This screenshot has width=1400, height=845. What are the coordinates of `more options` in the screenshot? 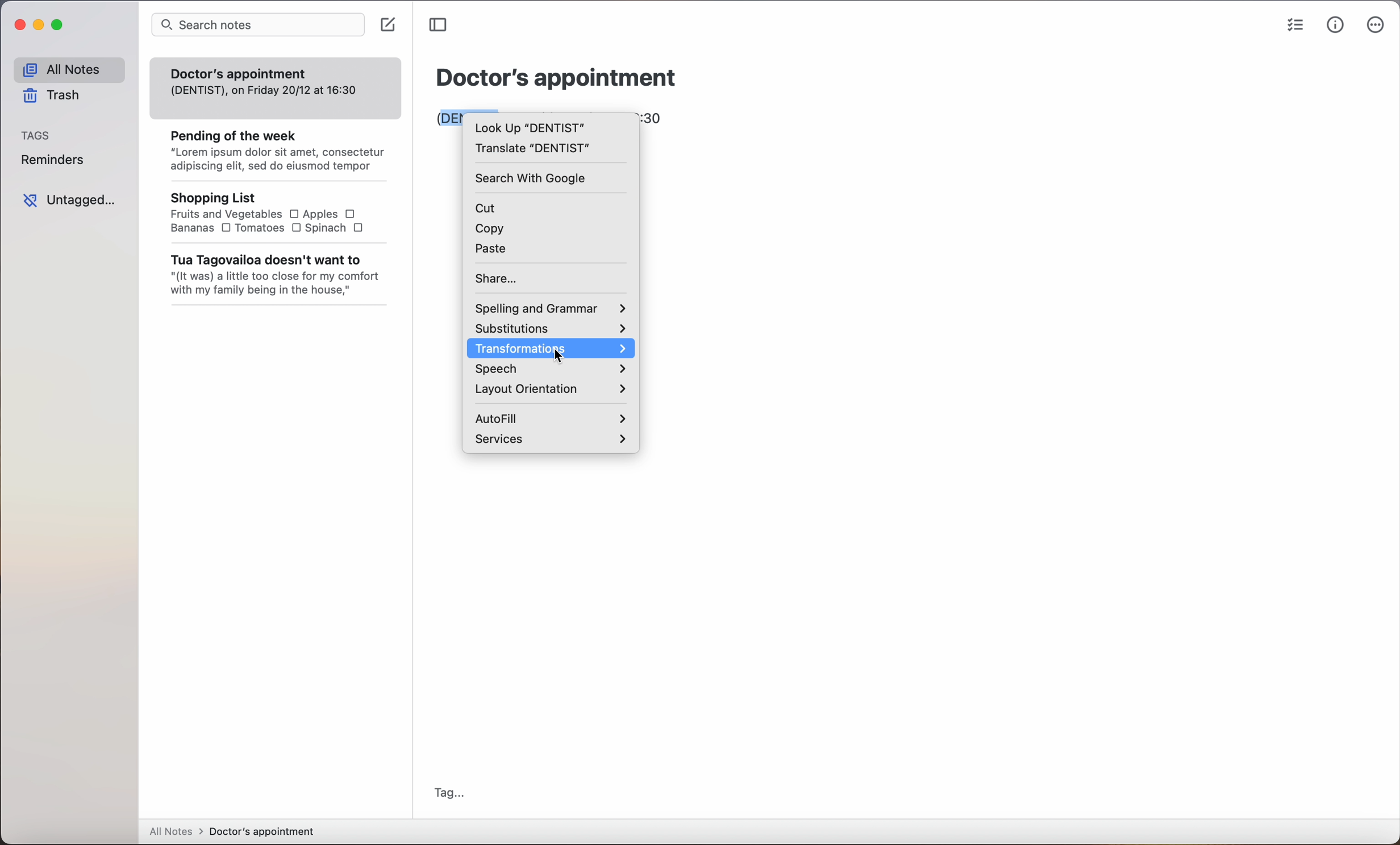 It's located at (1374, 28).